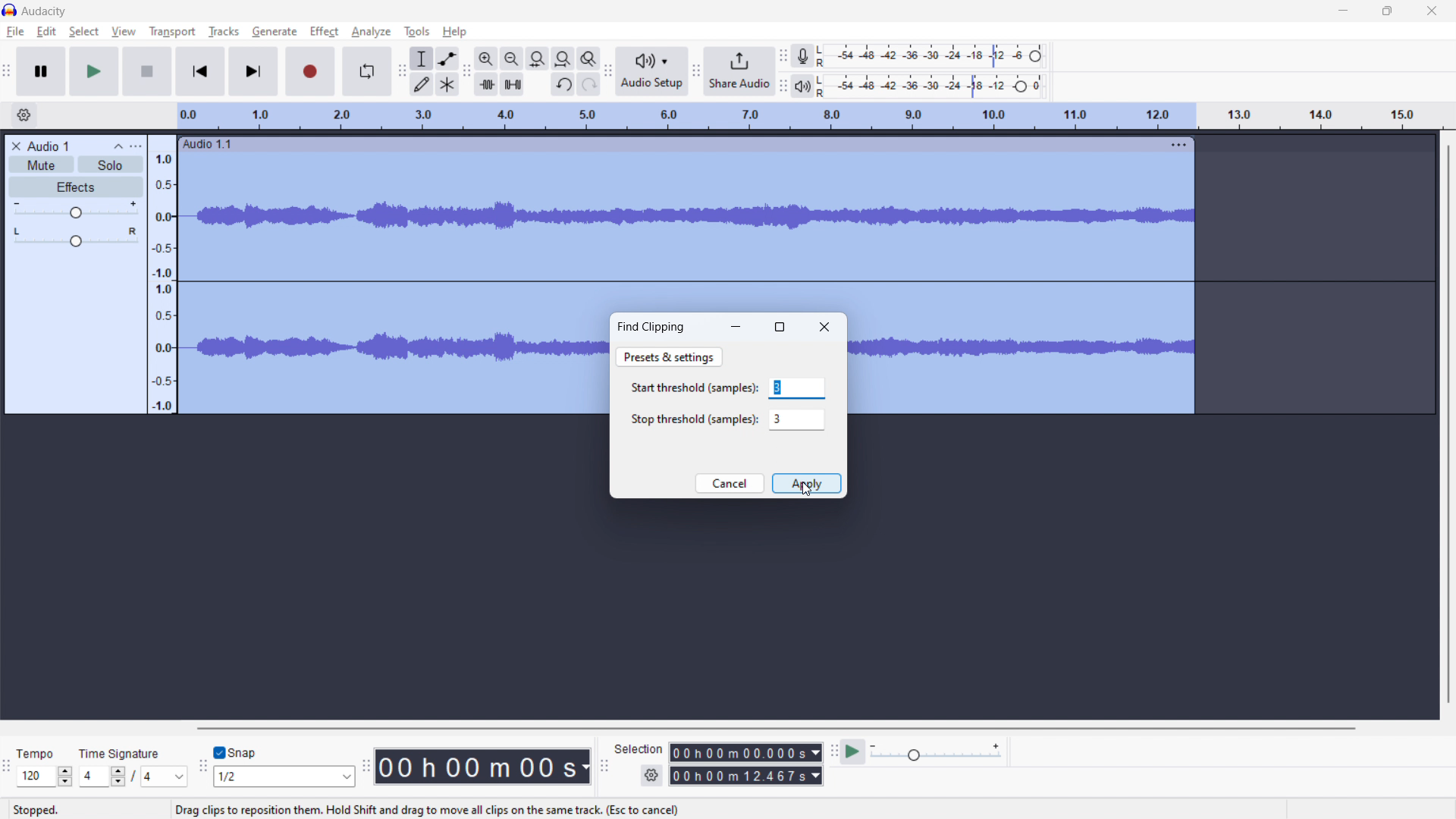 The image size is (1456, 819). What do you see at coordinates (644, 748) in the screenshot?
I see `Selection` at bounding box center [644, 748].